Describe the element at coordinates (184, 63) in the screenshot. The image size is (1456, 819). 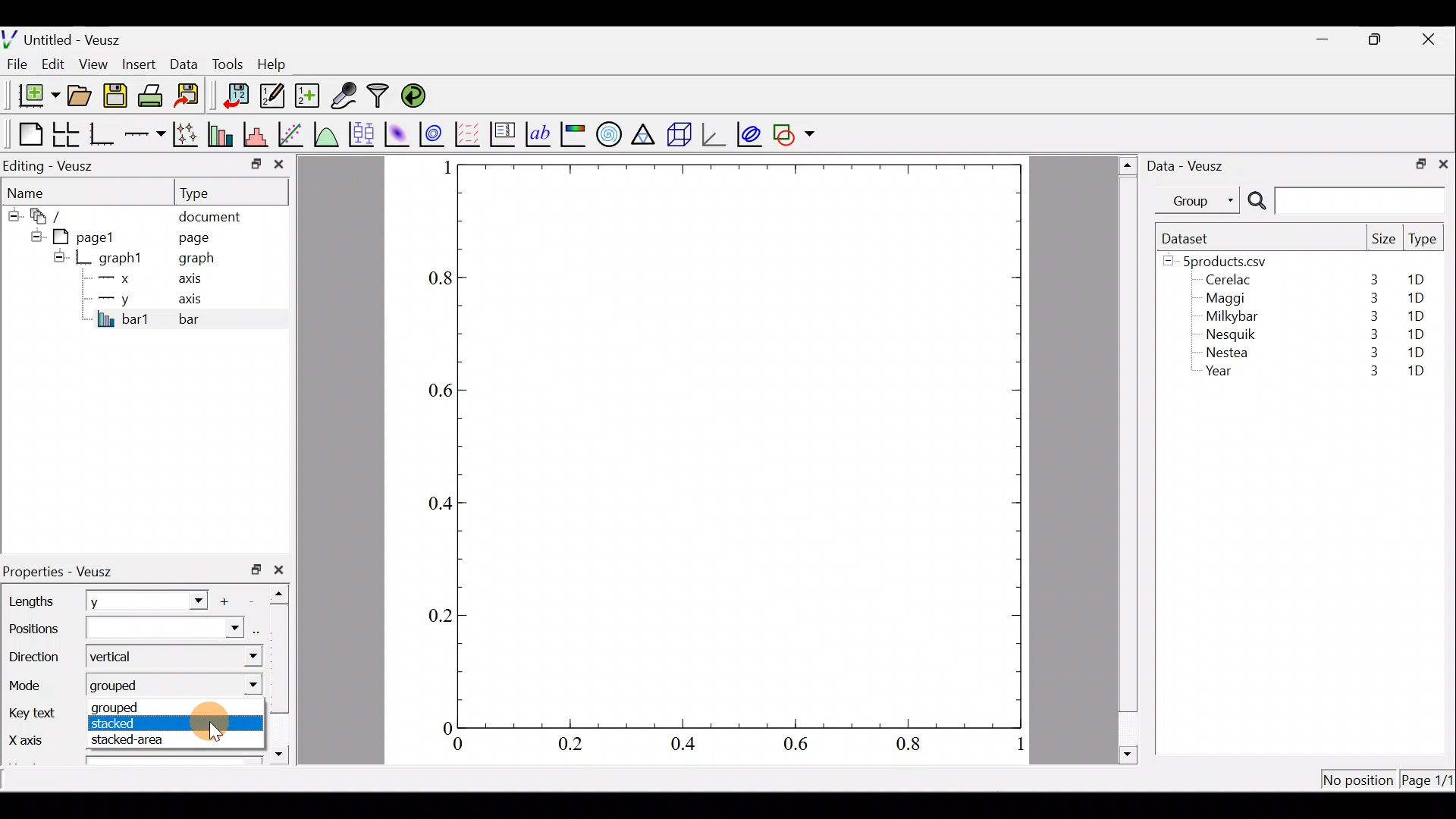
I see `Data` at that location.